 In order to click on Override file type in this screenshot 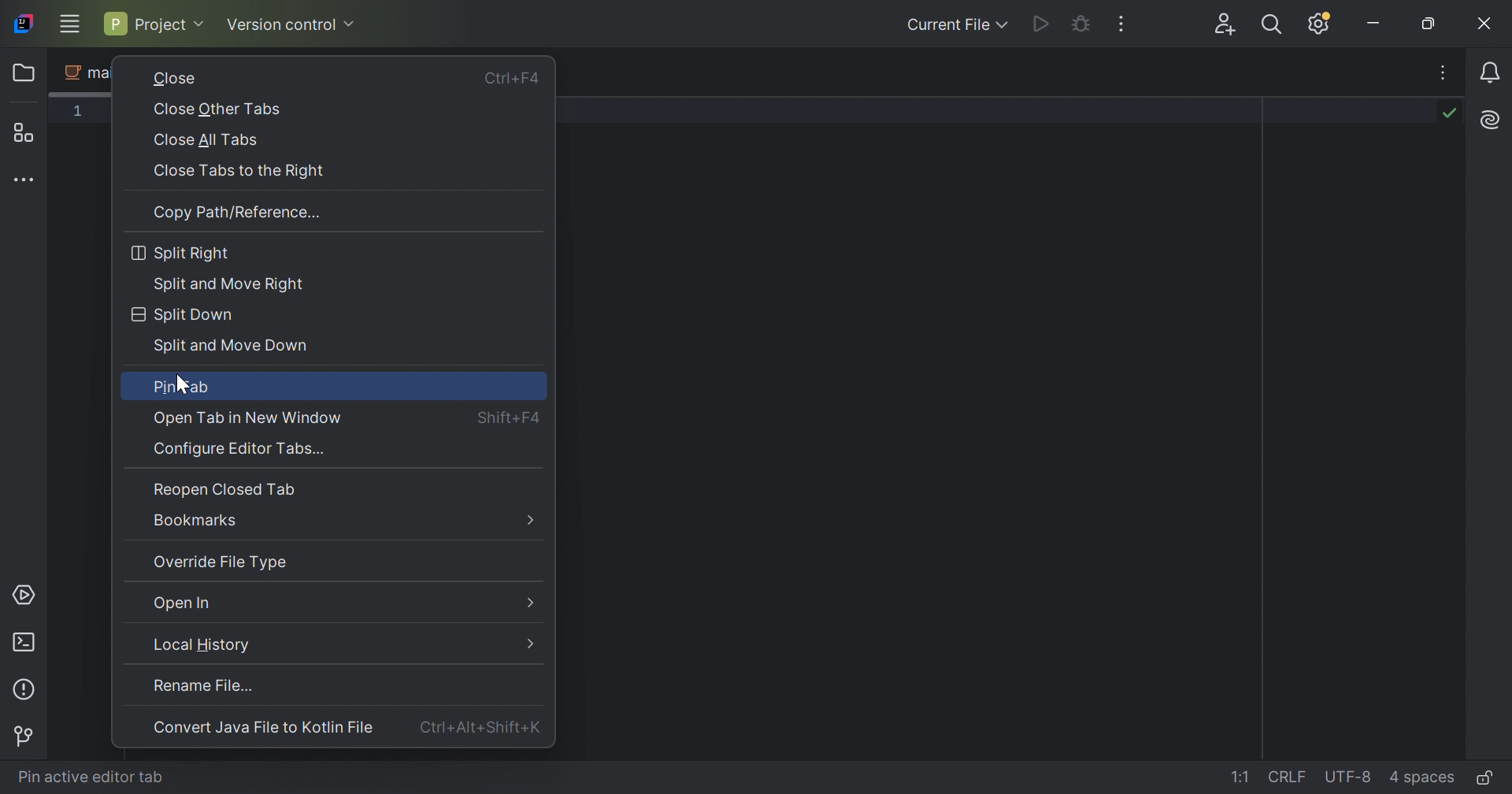, I will do `click(220, 562)`.